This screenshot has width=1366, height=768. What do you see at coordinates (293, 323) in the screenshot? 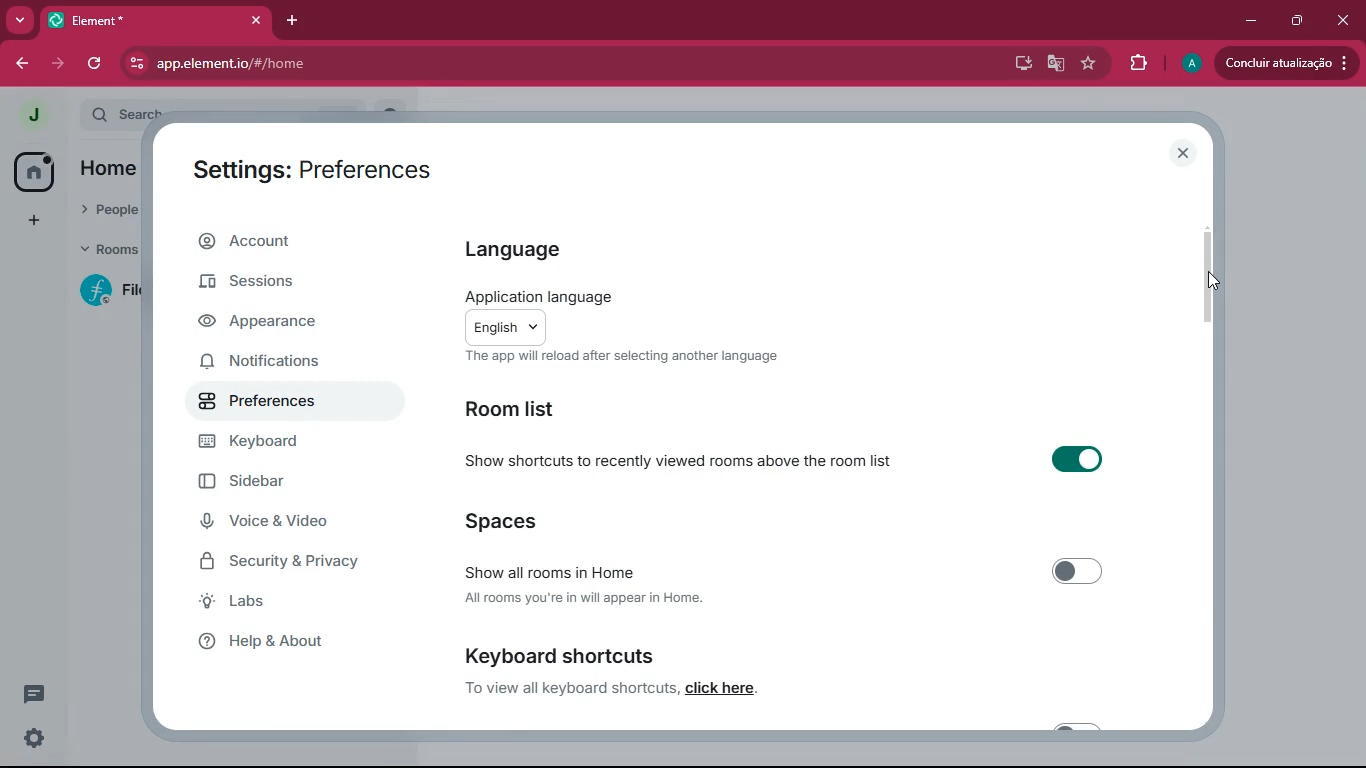
I see `appearance` at bounding box center [293, 323].